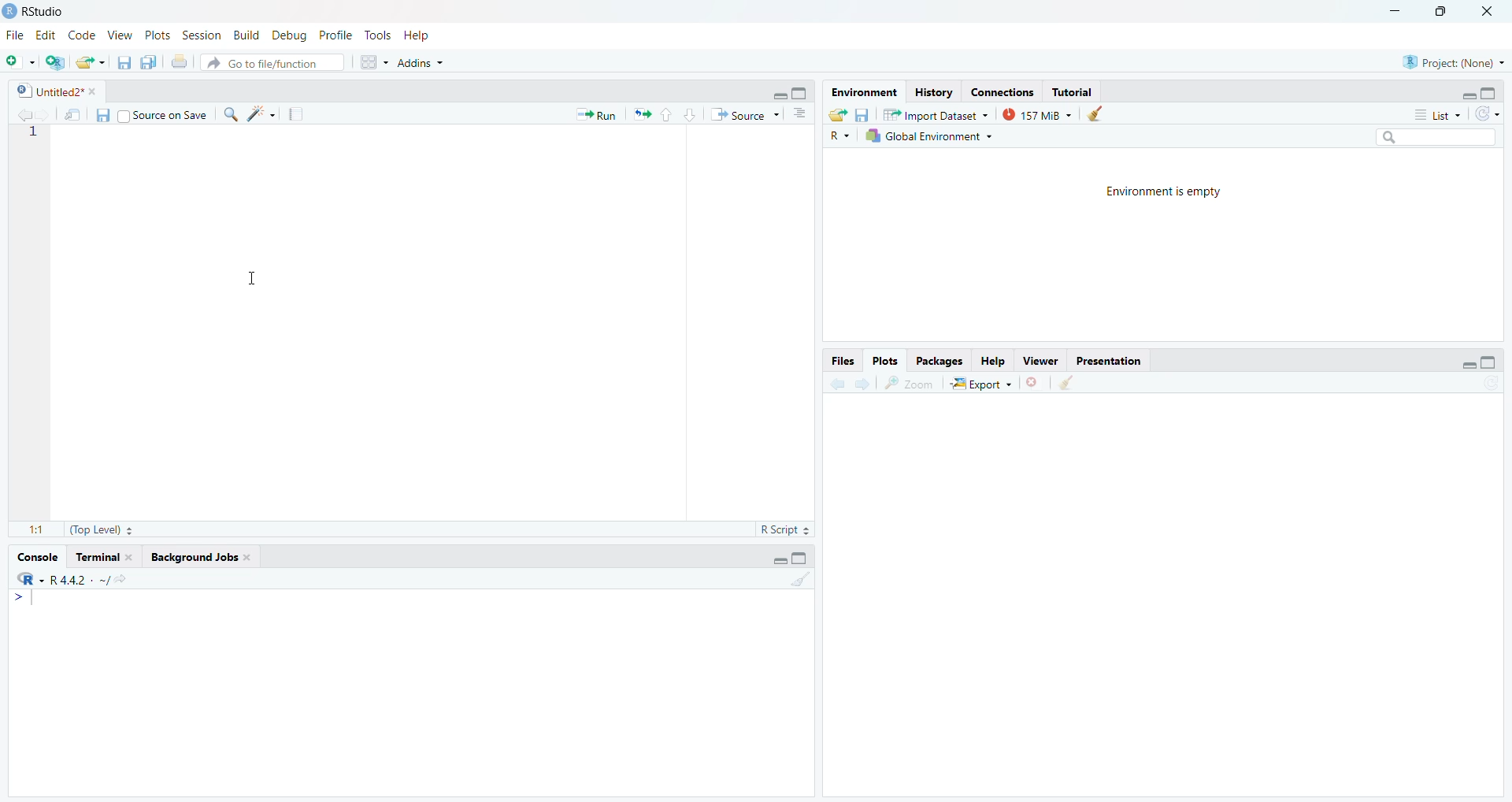  I want to click on zoom, so click(908, 384).